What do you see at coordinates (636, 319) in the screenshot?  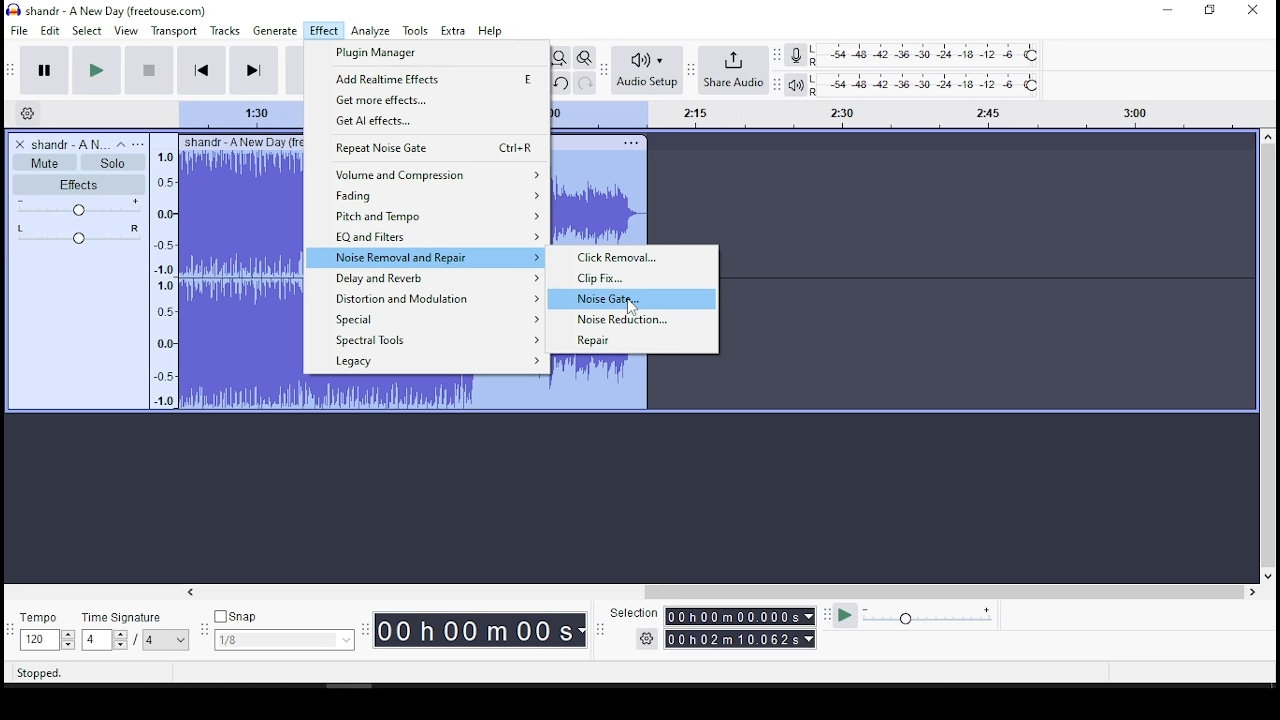 I see `noise reduction` at bounding box center [636, 319].